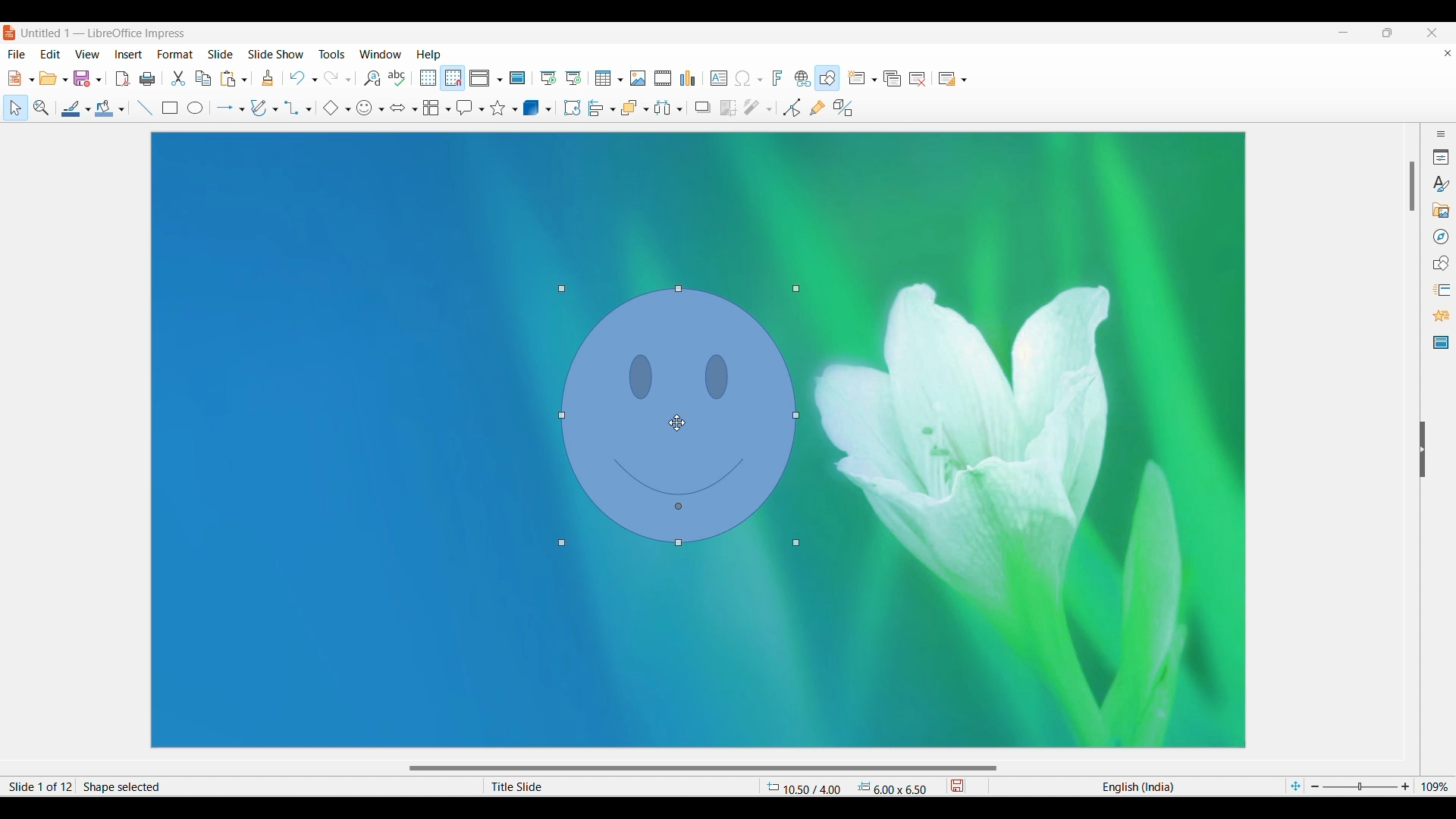  What do you see at coordinates (332, 53) in the screenshot?
I see `Tools` at bounding box center [332, 53].